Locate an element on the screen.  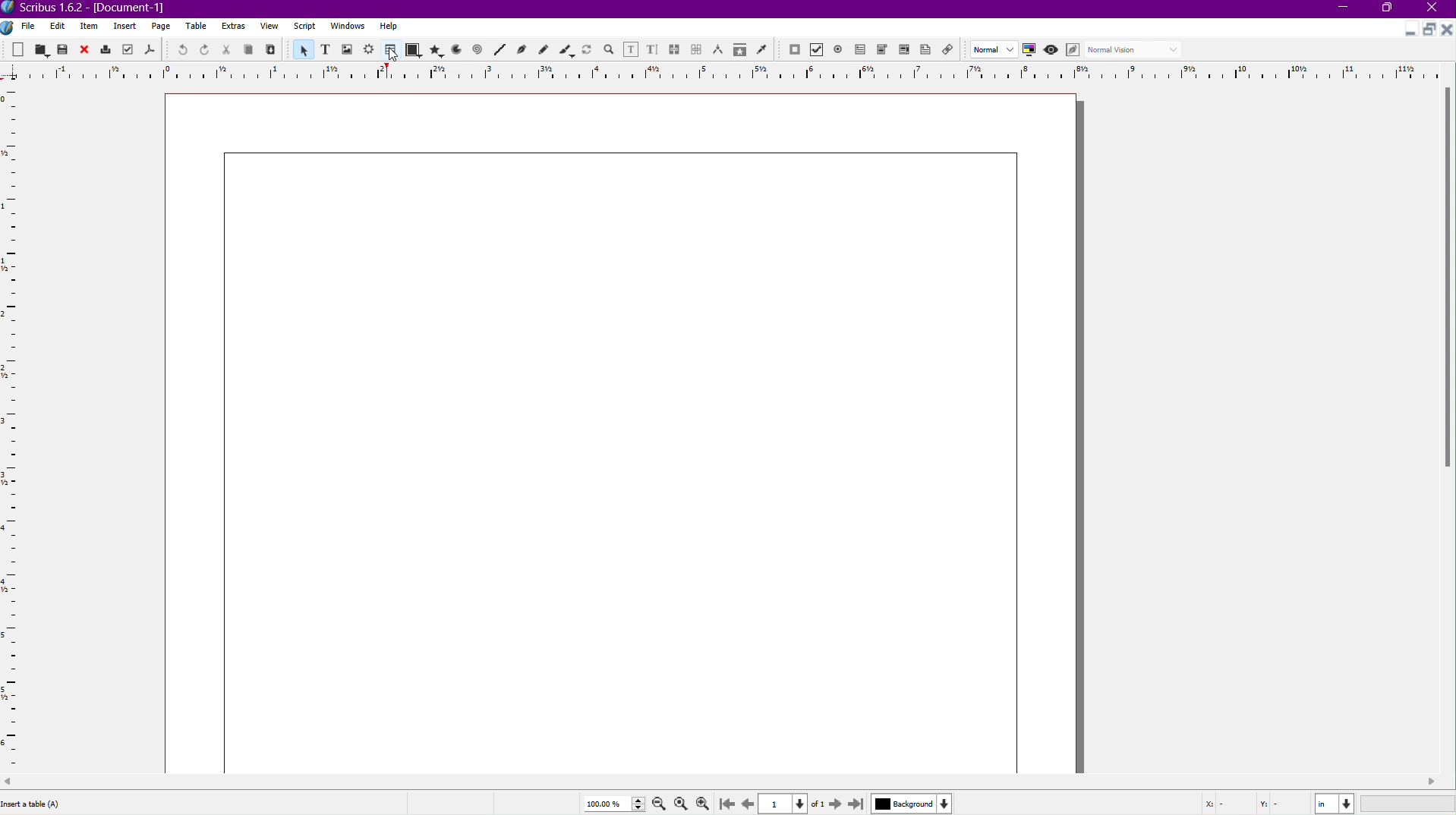
Help is located at coordinates (389, 26).